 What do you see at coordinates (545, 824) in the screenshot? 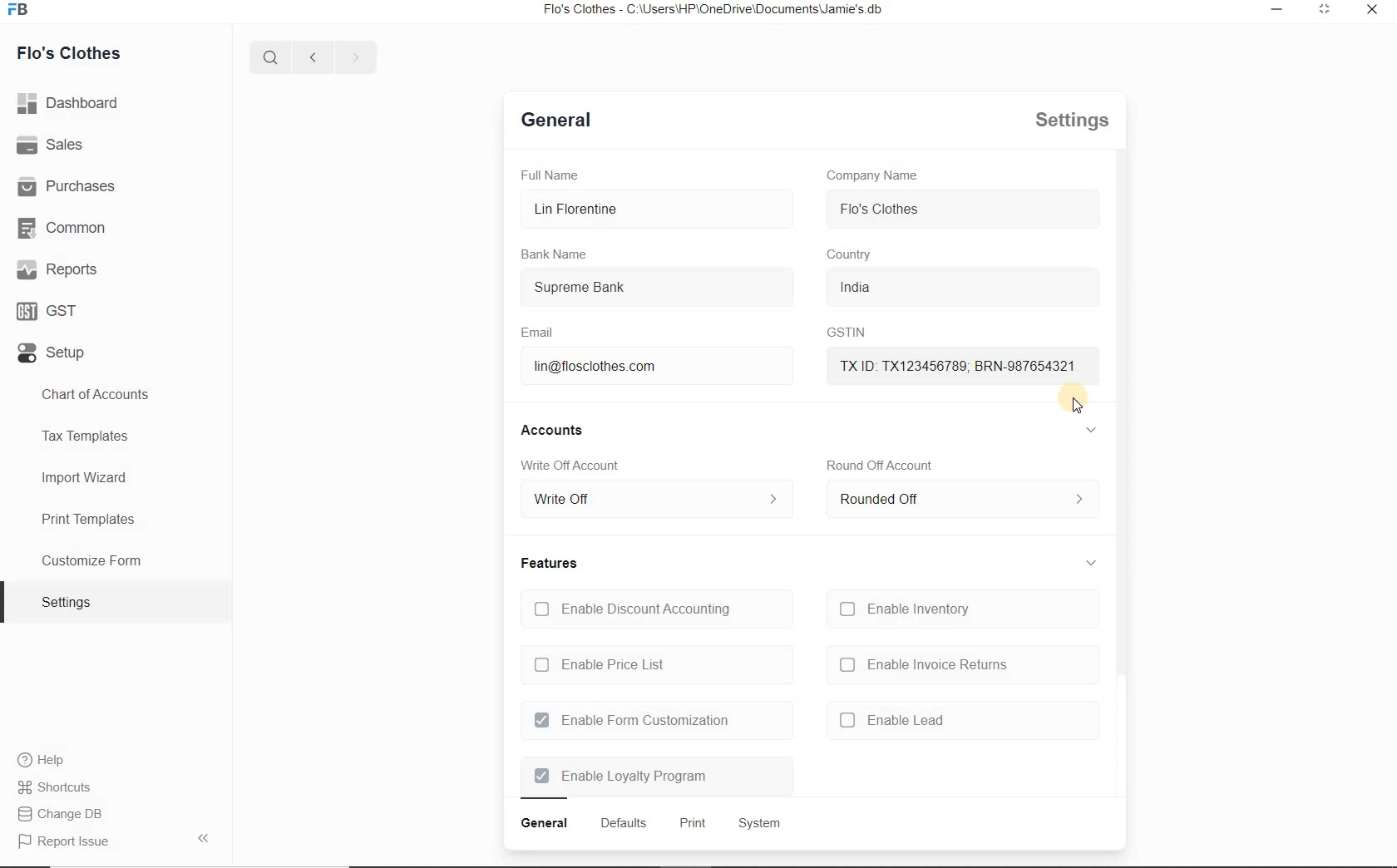
I see `general` at bounding box center [545, 824].